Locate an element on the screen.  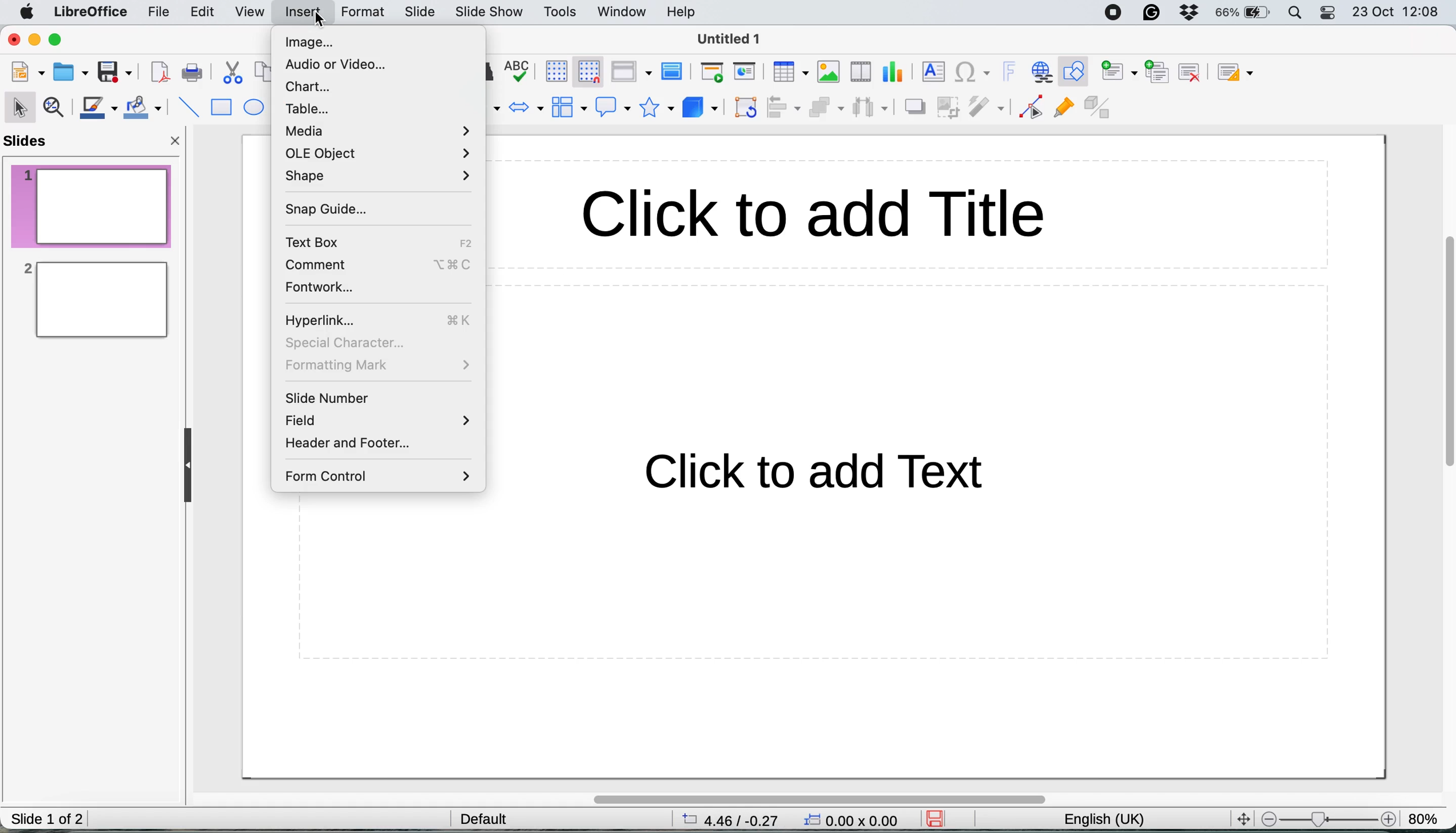
select three objects to distribute is located at coordinates (870, 109).